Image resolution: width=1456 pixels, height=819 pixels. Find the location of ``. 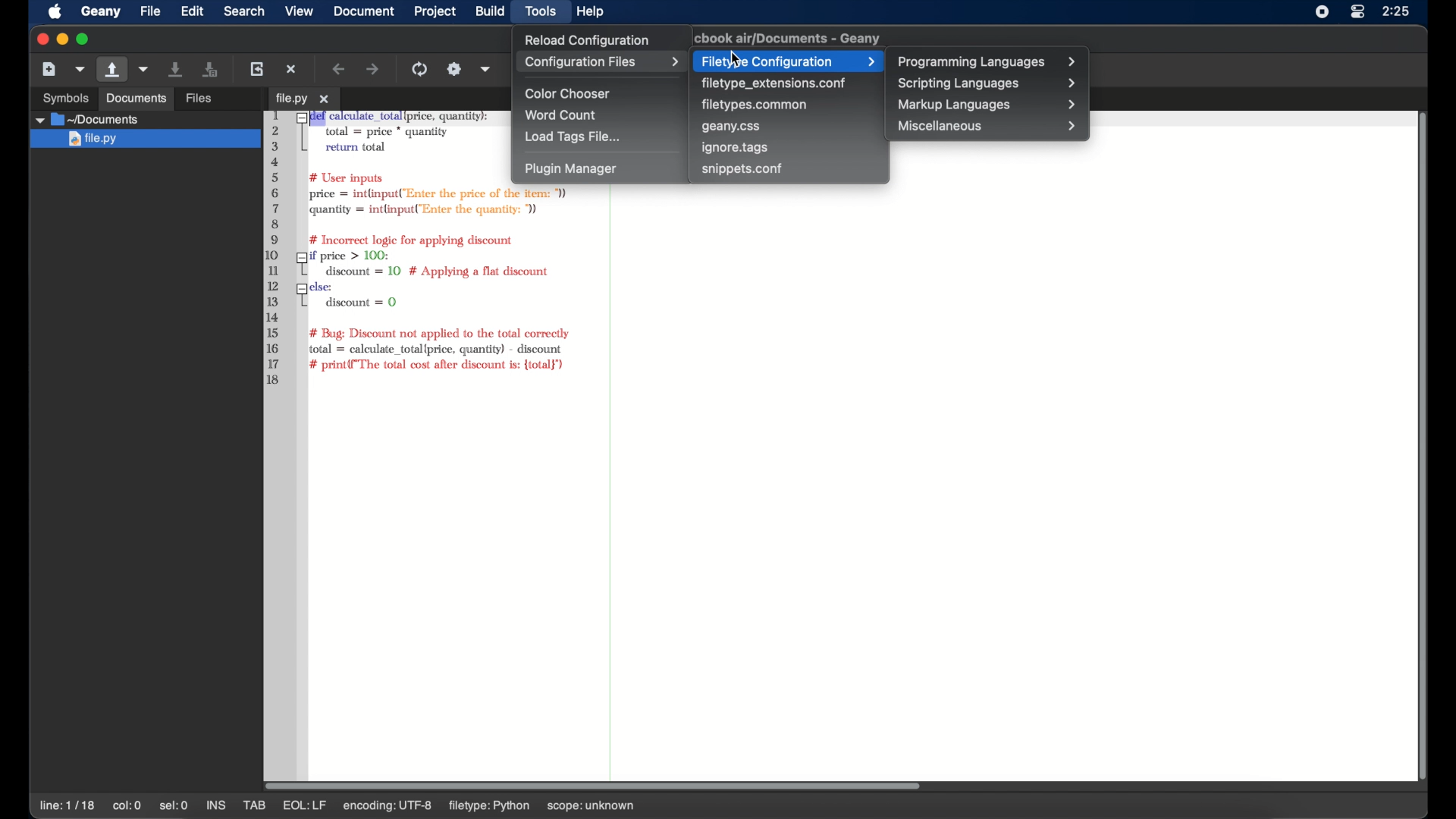

 is located at coordinates (59, 96).